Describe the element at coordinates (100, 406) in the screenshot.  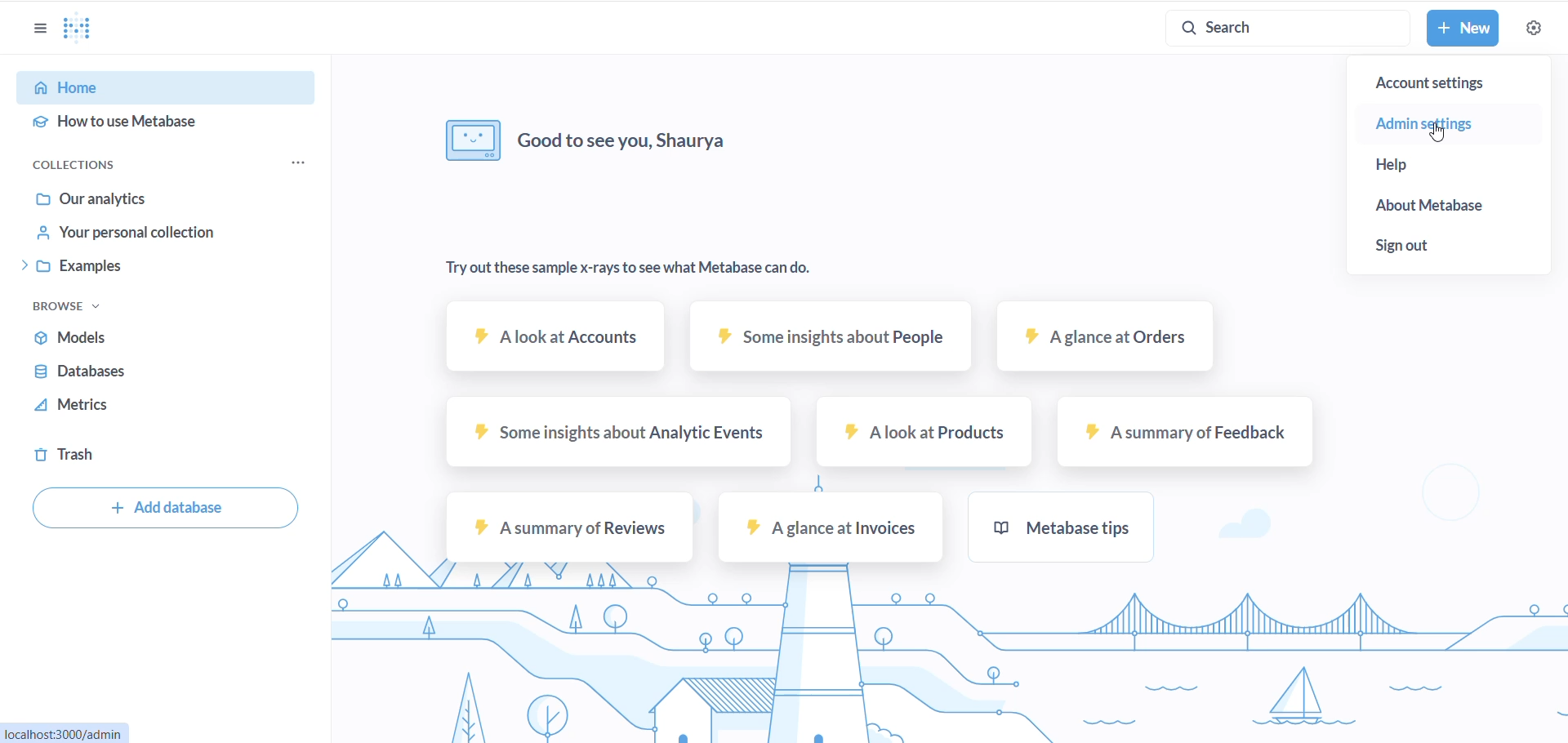
I see `METRICS` at that location.